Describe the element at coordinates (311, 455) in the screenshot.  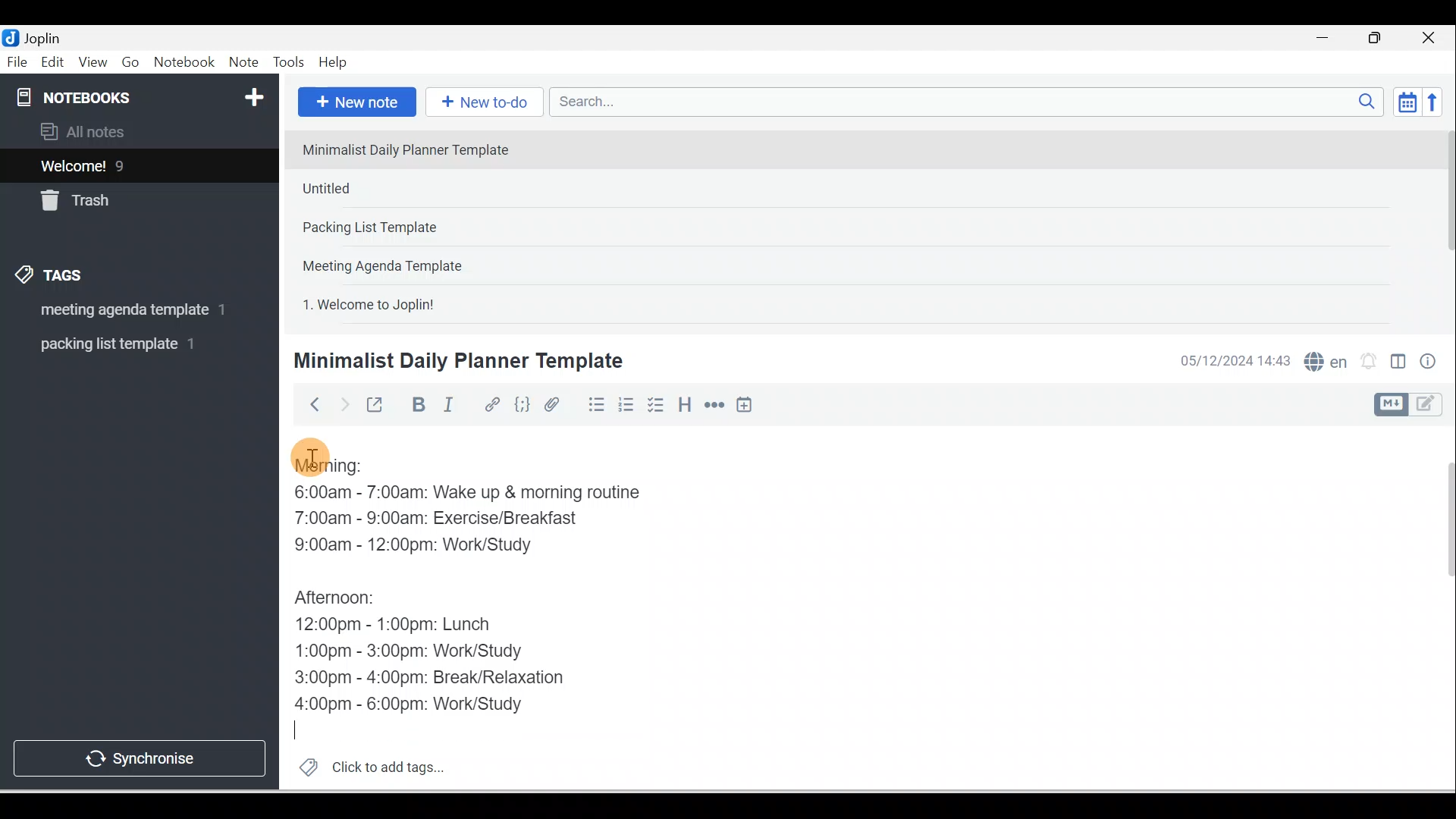
I see `Cursor` at that location.